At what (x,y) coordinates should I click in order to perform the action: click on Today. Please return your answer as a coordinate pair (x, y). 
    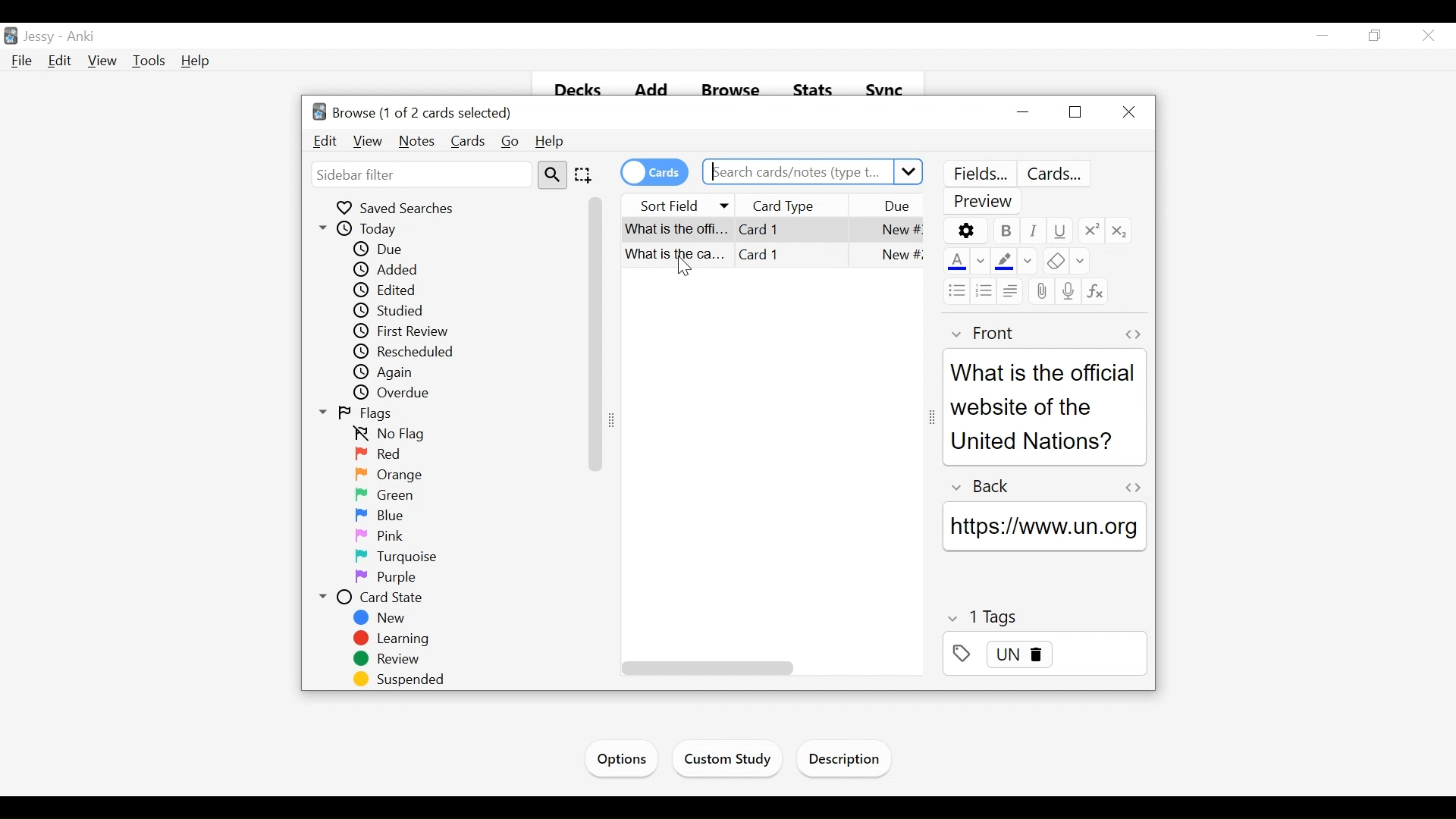
    Looking at the image, I should click on (363, 229).